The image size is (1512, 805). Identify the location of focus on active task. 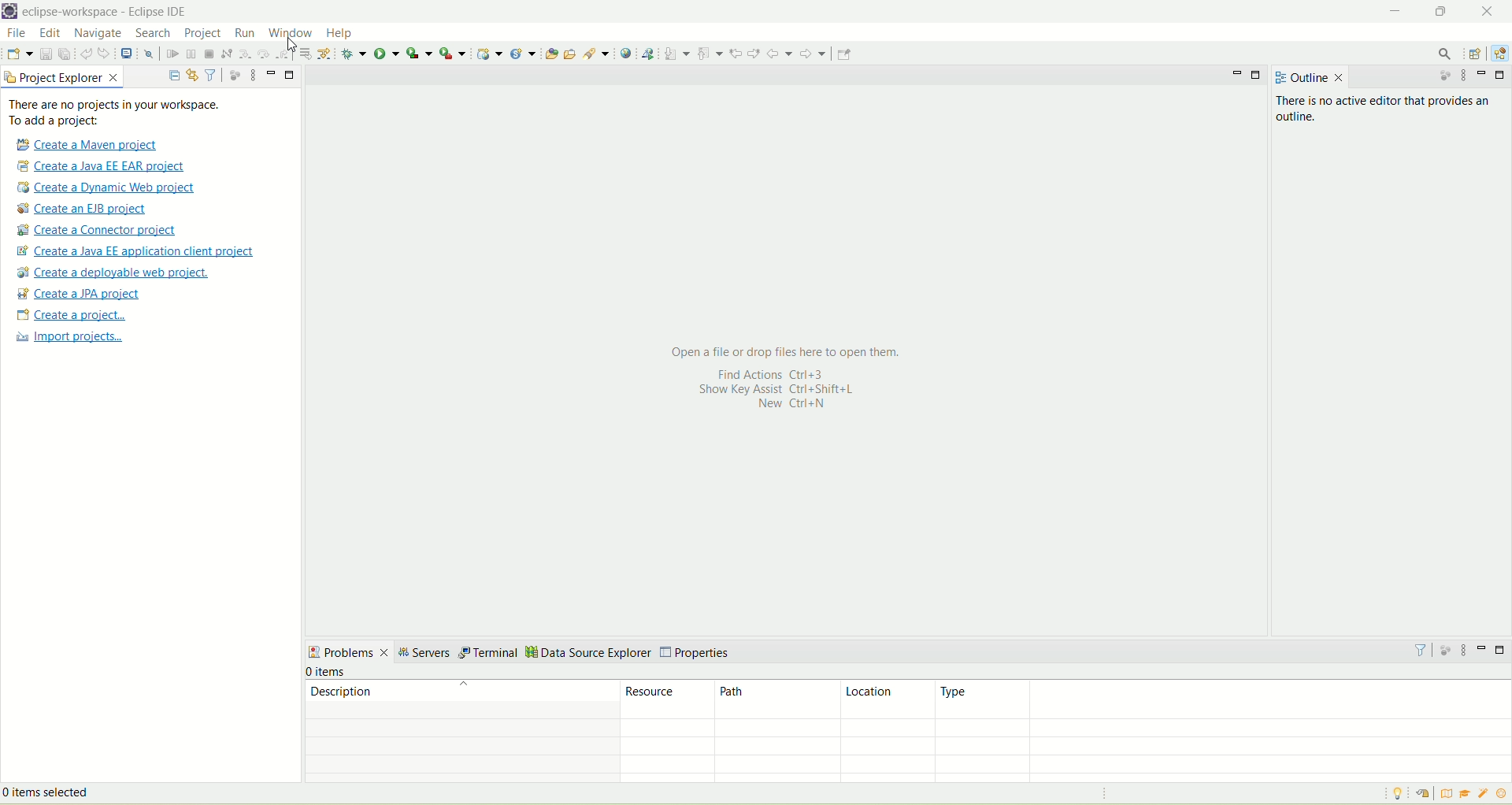
(1443, 79).